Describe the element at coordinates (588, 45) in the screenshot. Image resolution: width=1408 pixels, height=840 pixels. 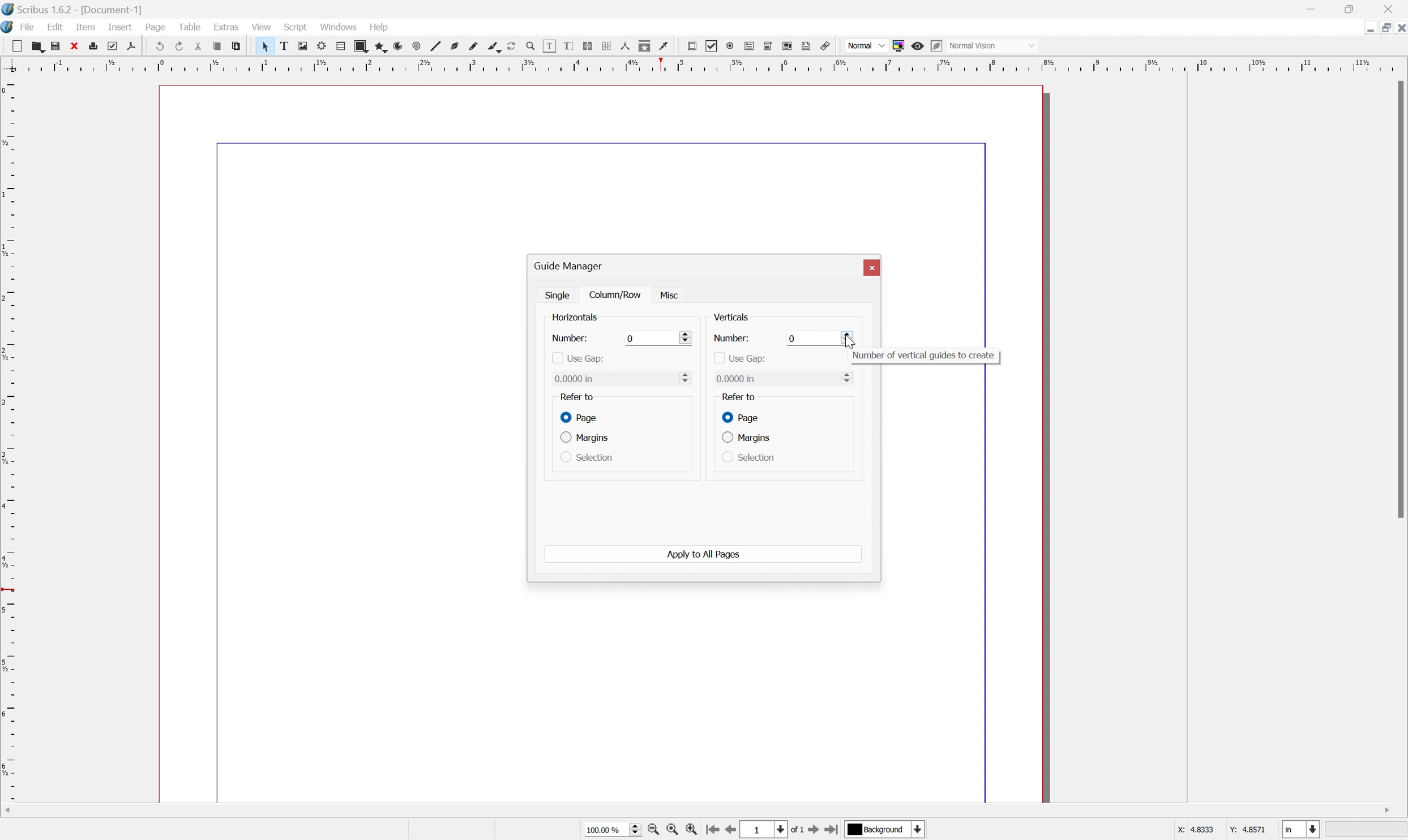
I see `link text frames` at that location.